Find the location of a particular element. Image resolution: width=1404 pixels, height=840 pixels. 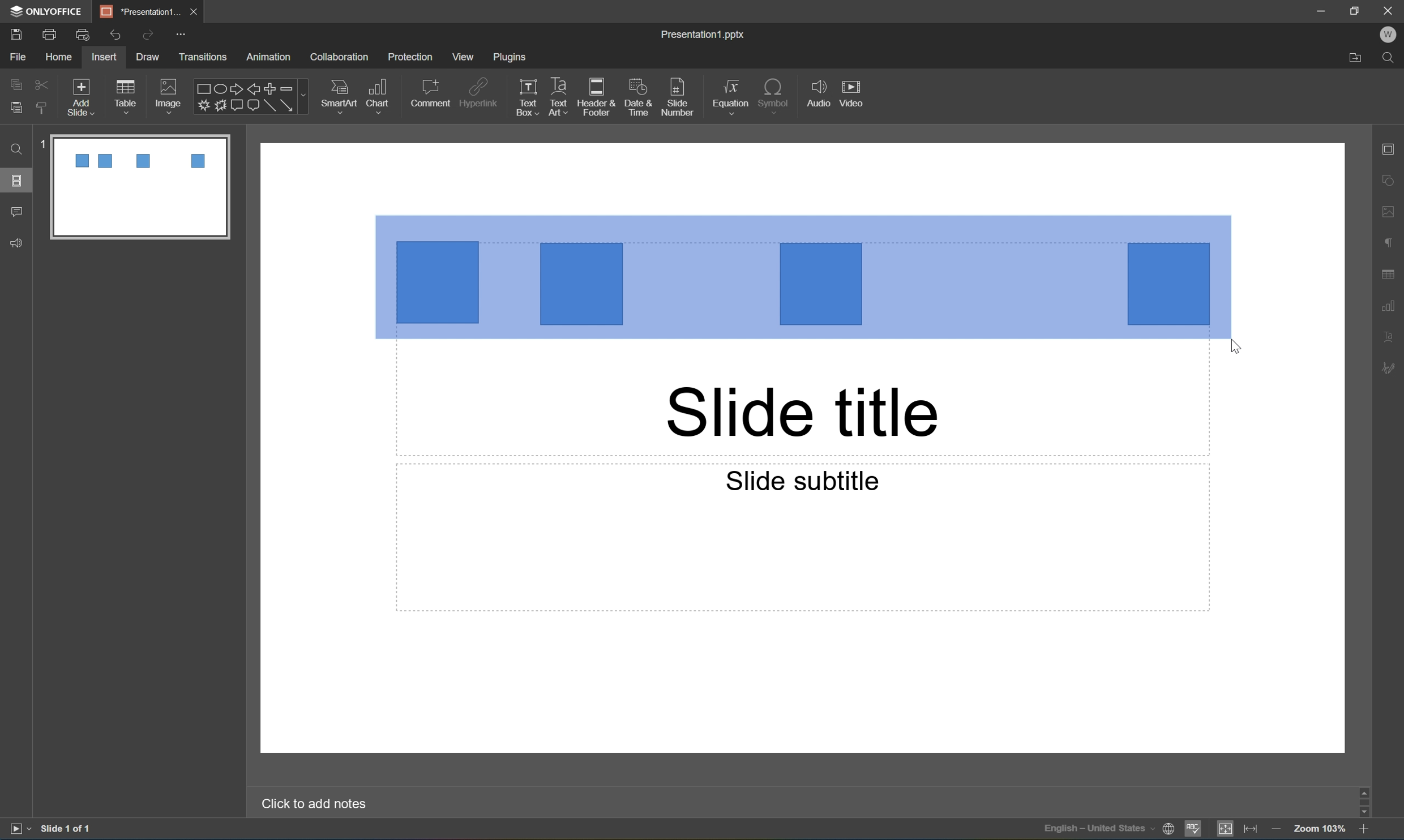

text art settings is located at coordinates (1394, 337).